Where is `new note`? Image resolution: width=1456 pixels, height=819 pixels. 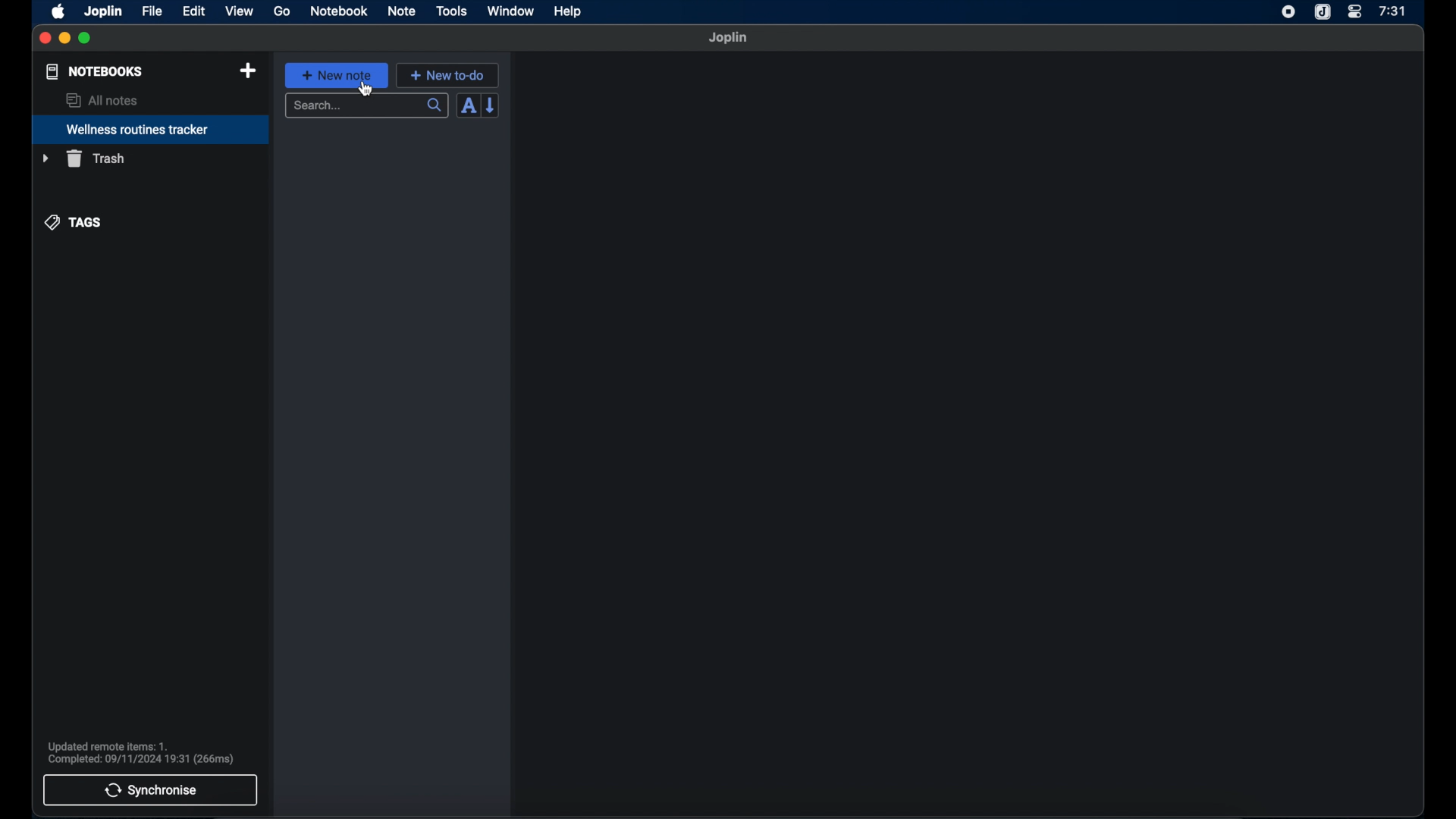
new note is located at coordinates (337, 75).